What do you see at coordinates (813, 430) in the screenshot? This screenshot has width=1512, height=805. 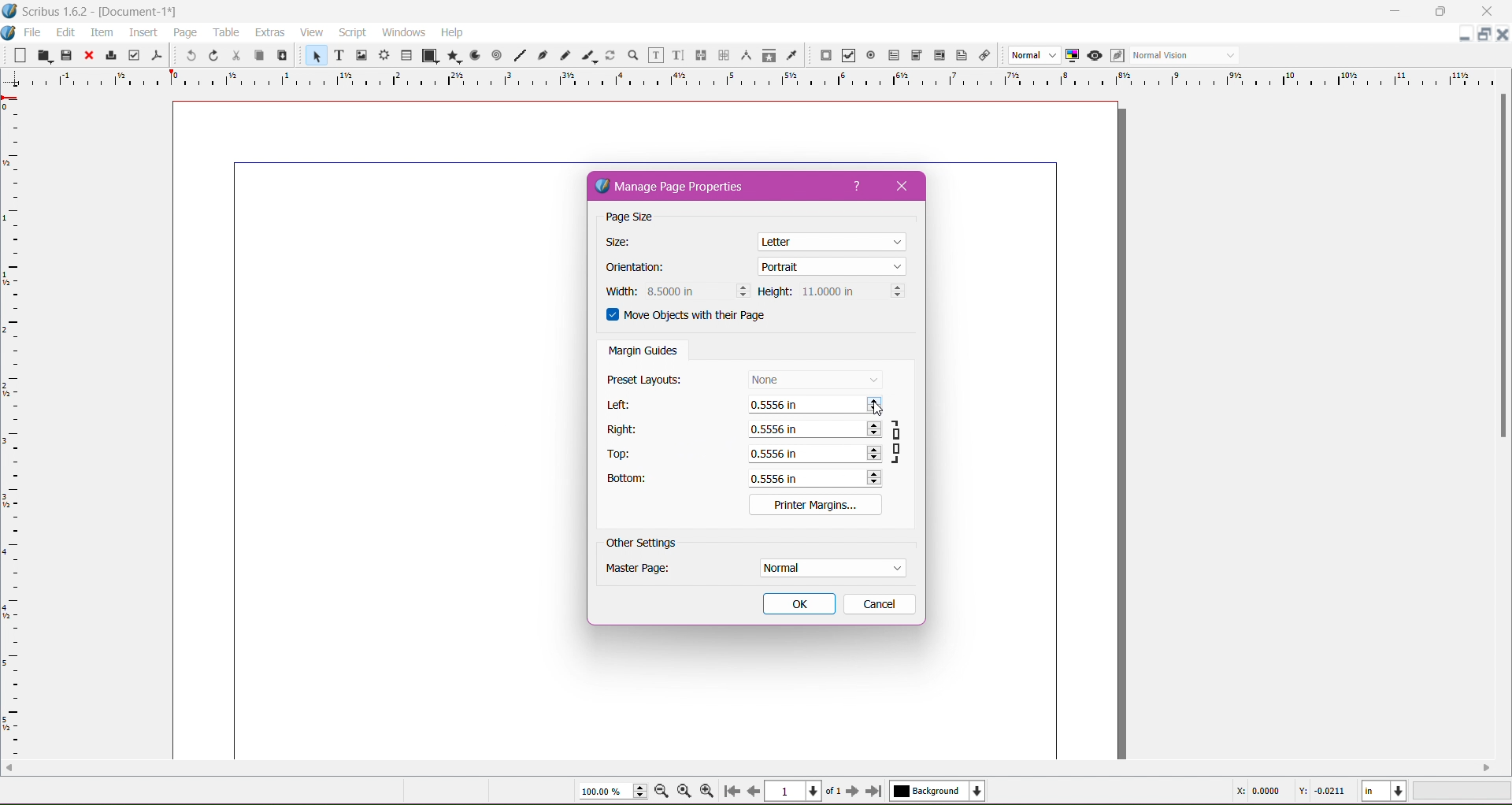 I see `Set right margin` at bounding box center [813, 430].